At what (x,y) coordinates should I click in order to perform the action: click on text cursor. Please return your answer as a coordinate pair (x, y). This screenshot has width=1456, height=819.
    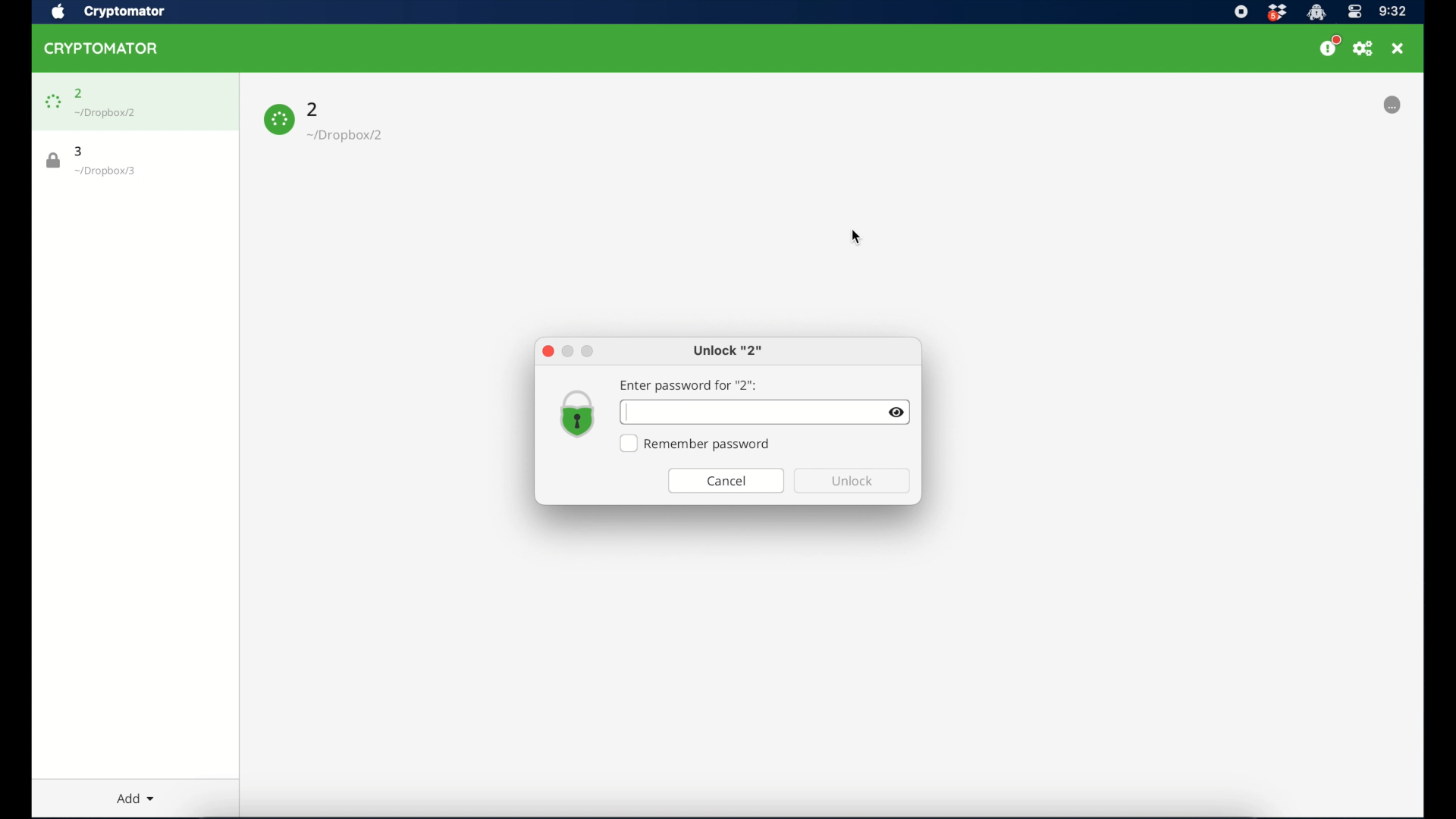
    Looking at the image, I should click on (626, 412).